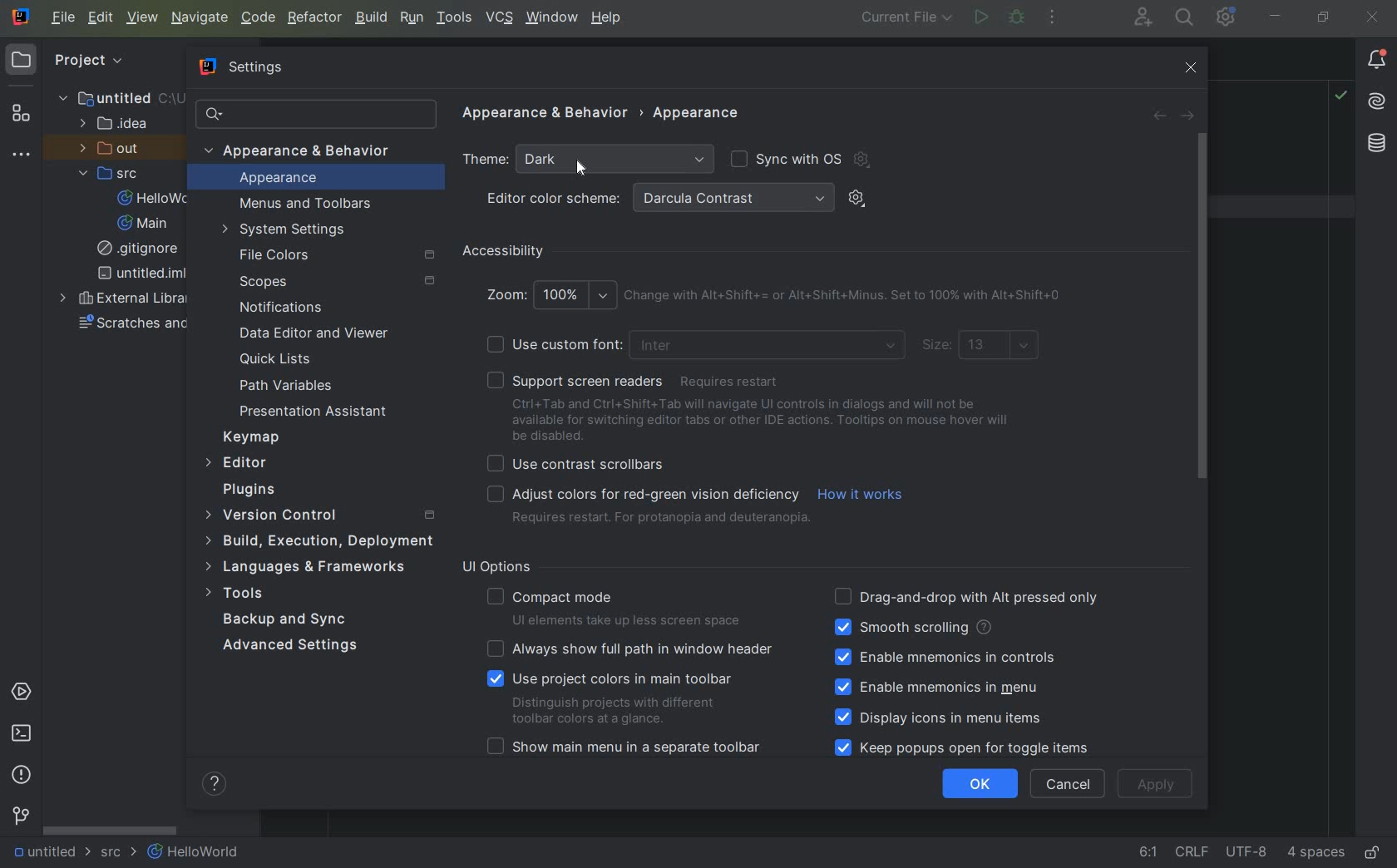  I want to click on DEBUG, so click(1018, 17).